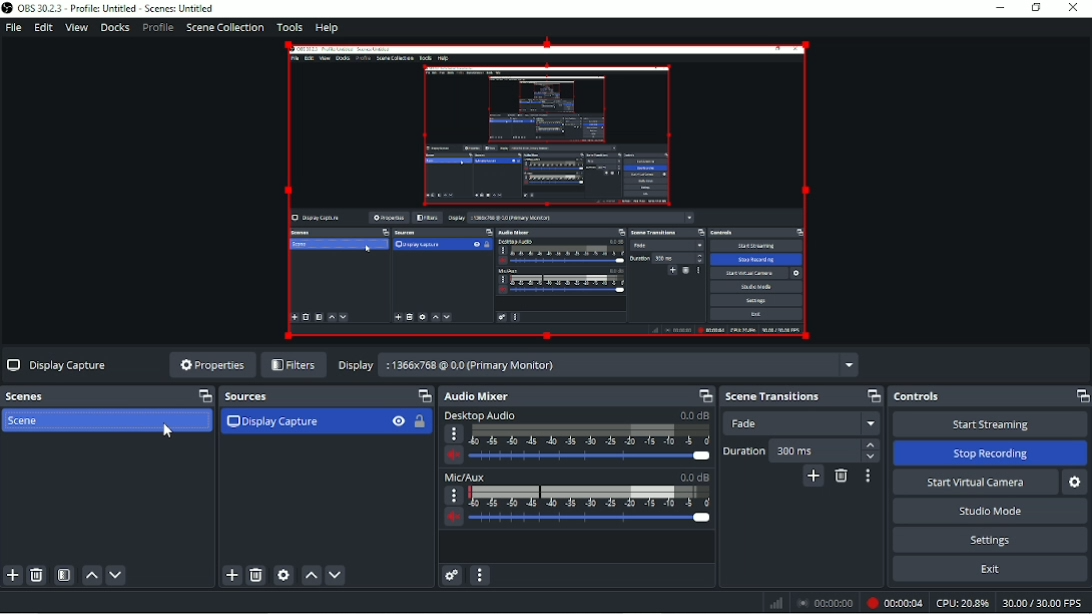 The width and height of the screenshot is (1092, 614). I want to click on Maximize, so click(200, 396).